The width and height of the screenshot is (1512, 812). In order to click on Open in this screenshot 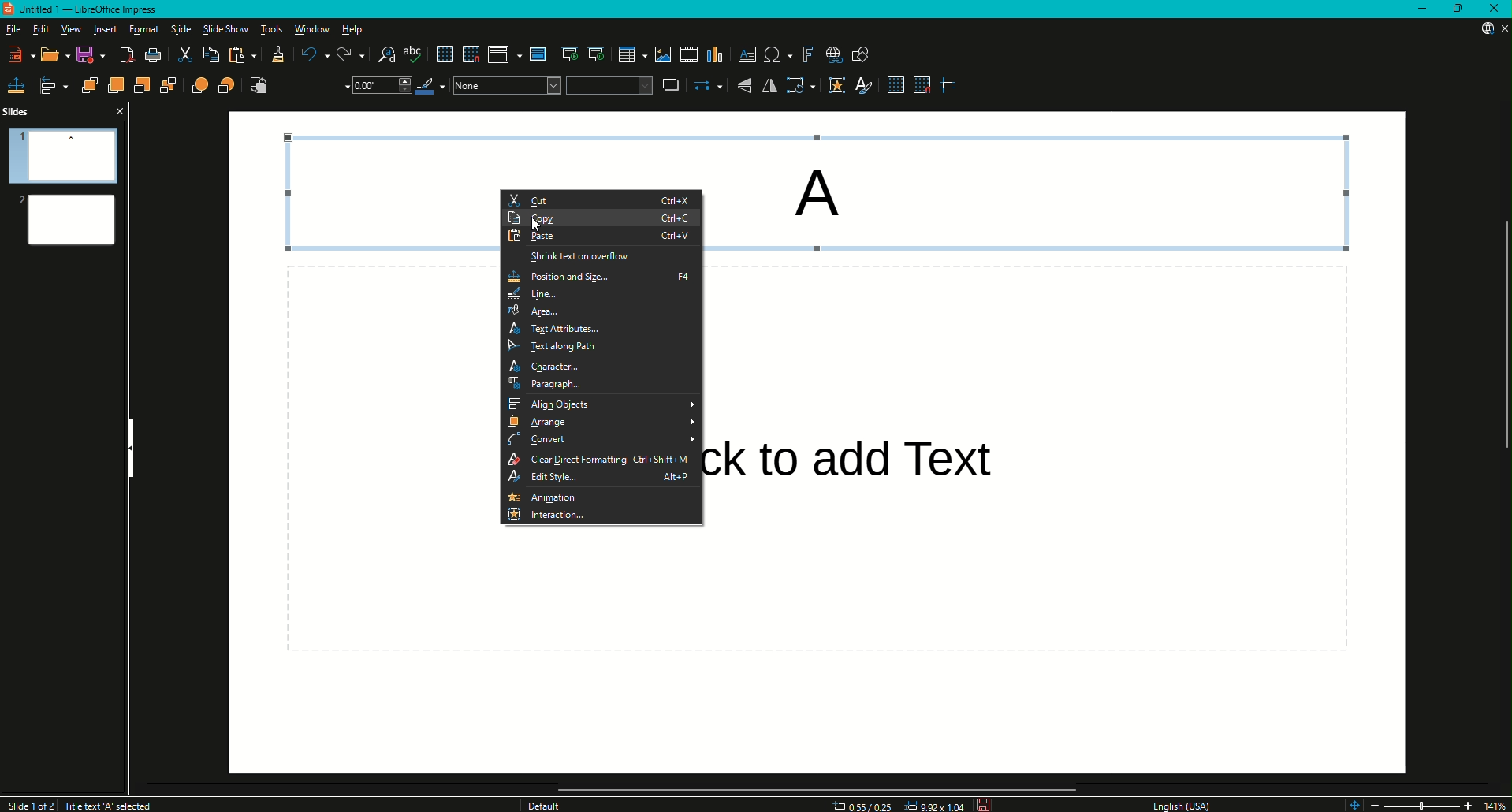, I will do `click(50, 54)`.